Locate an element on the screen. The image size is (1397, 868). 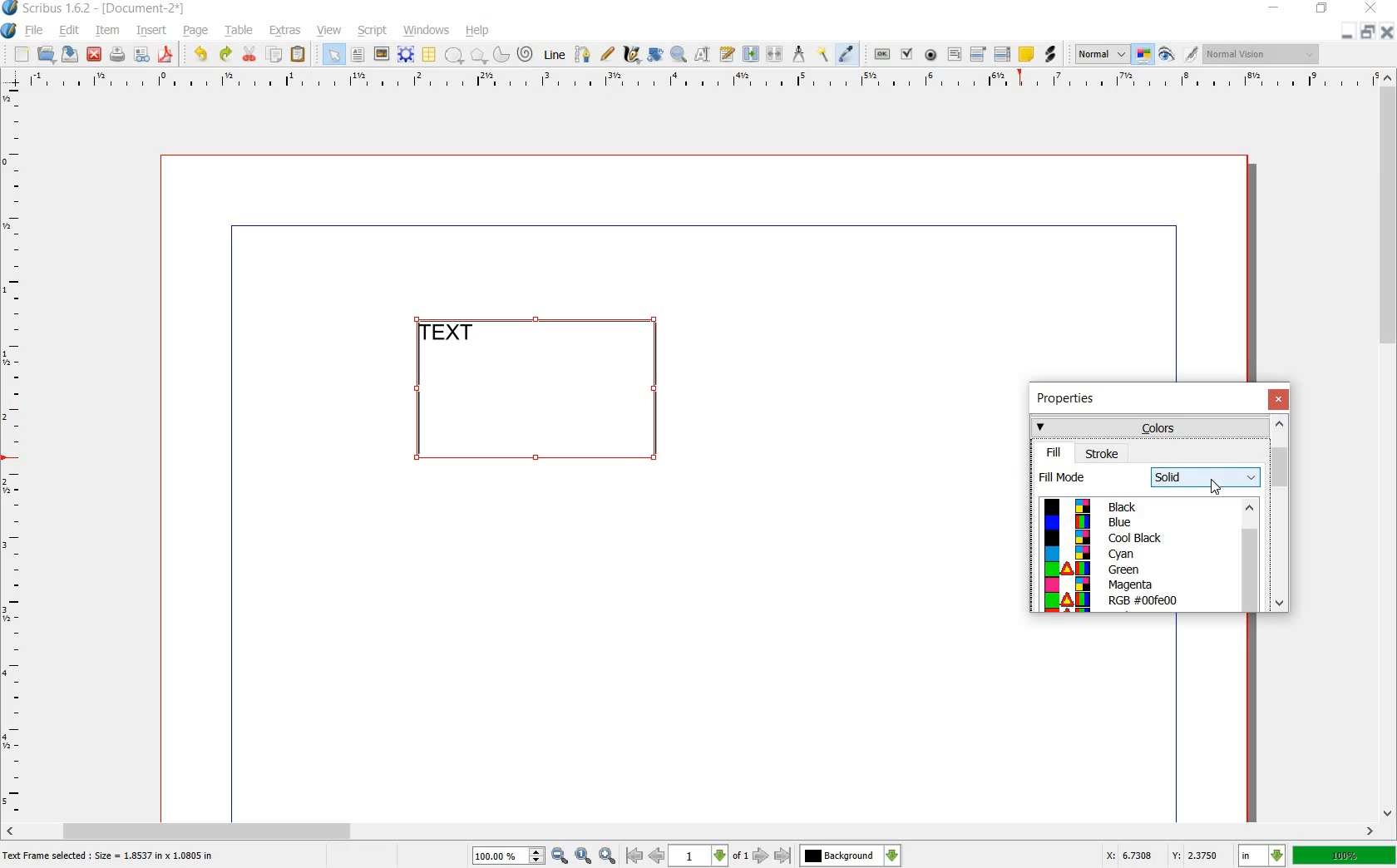
text frame is located at coordinates (357, 55).